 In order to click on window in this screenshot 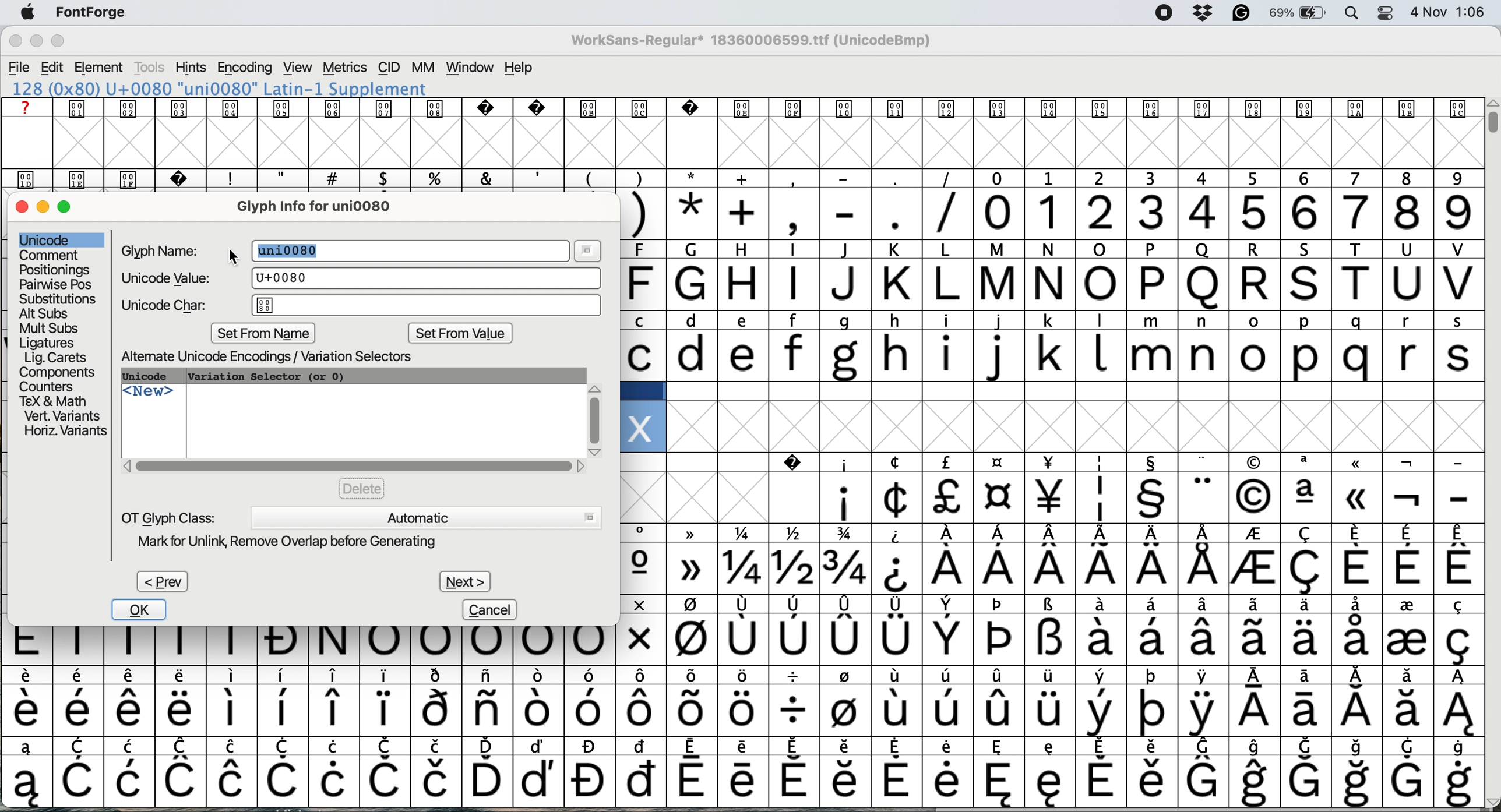, I will do `click(469, 68)`.